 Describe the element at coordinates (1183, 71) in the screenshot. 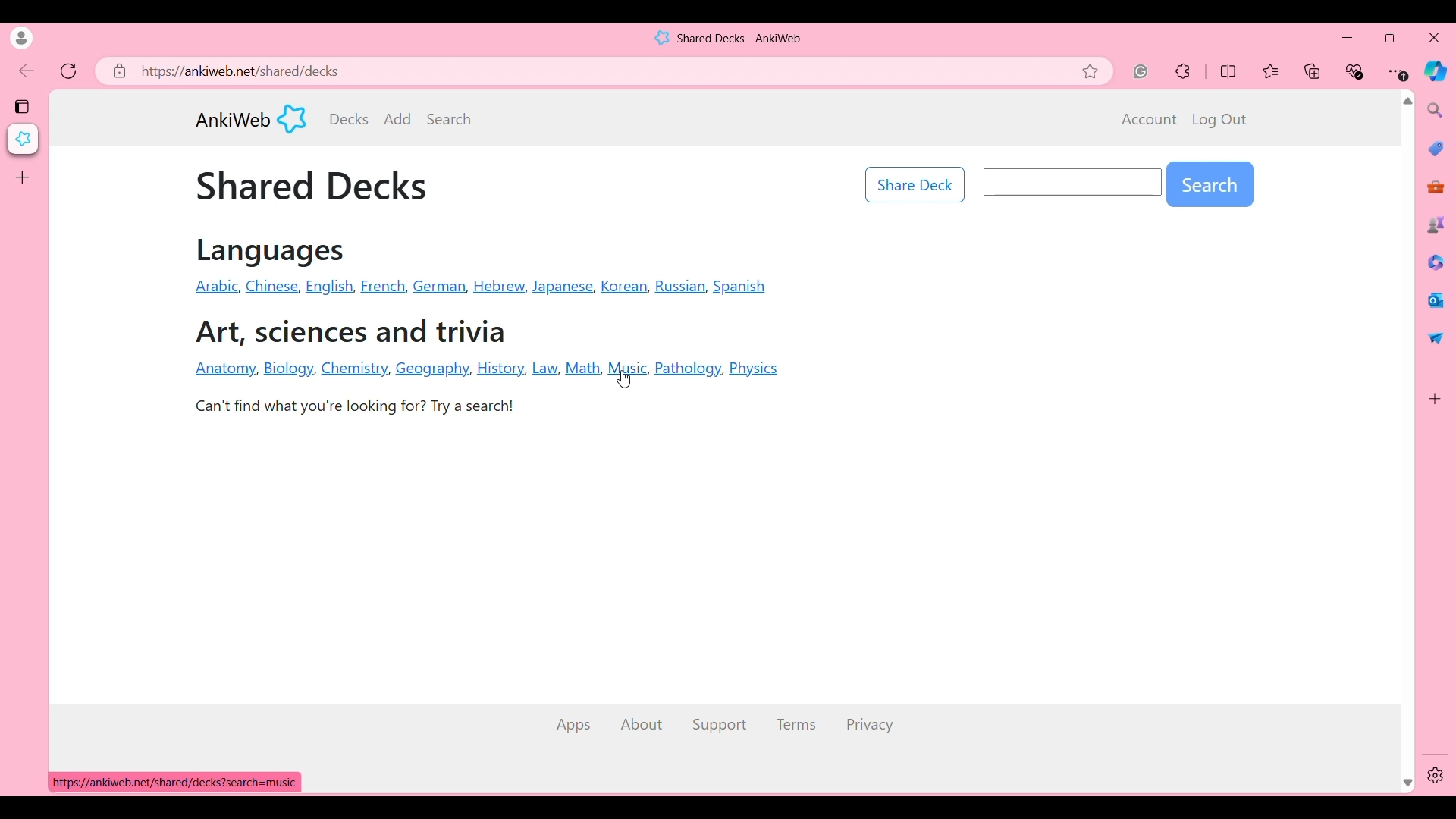

I see `Extensions` at that location.